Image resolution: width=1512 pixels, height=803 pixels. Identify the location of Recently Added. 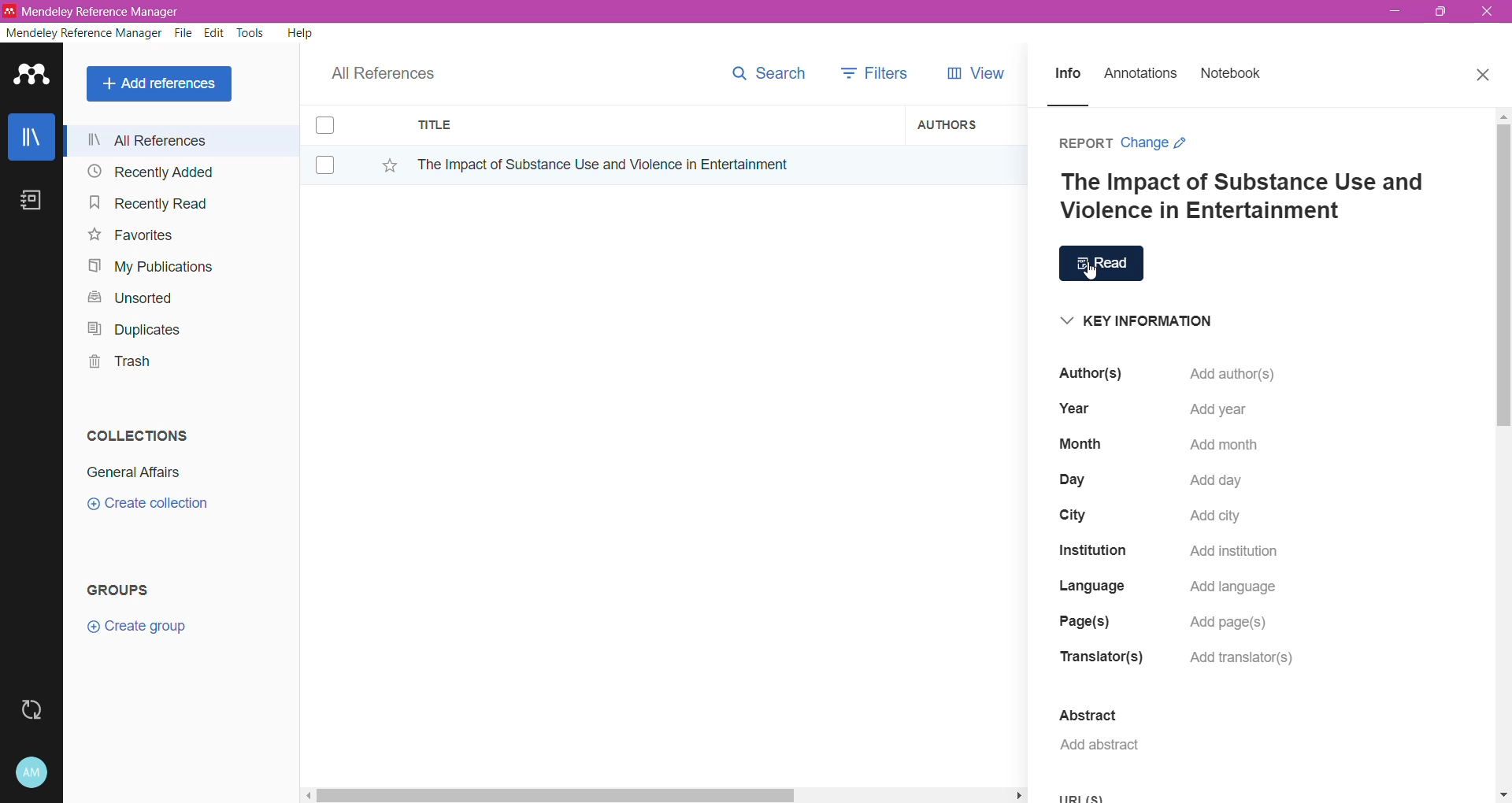
(154, 170).